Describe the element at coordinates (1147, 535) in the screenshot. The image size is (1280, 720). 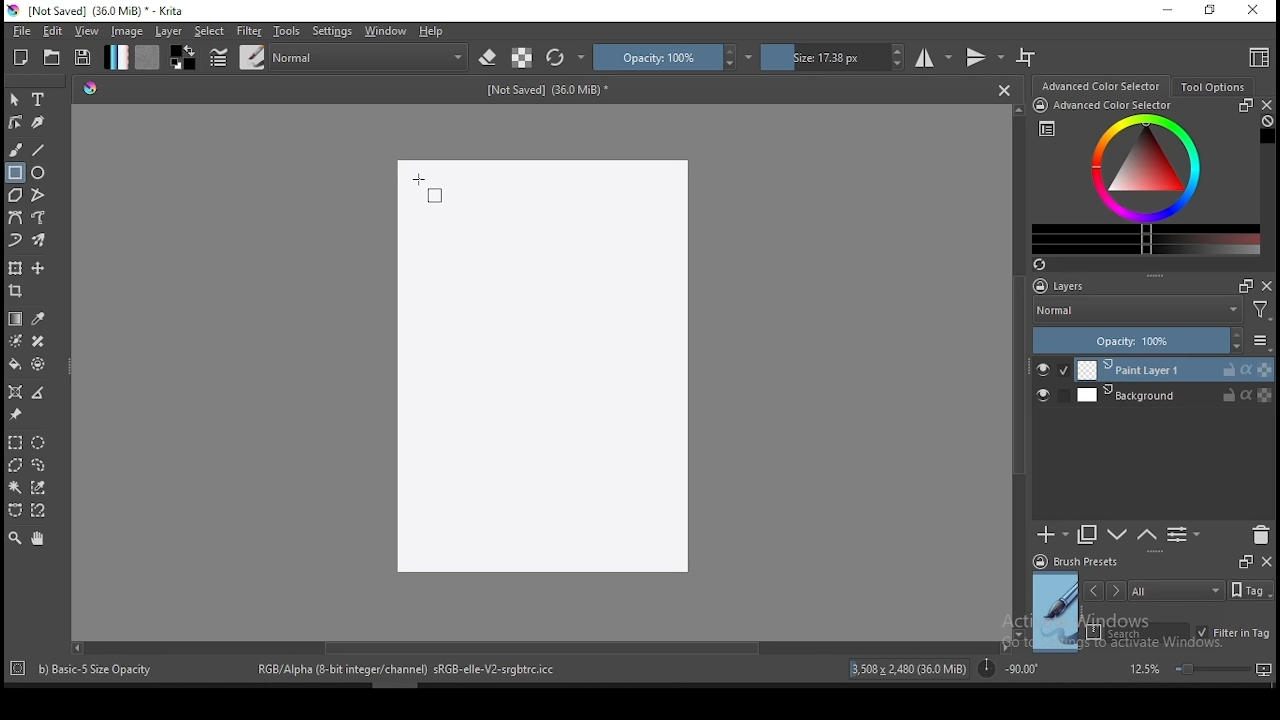
I see `move layer one step down` at that location.